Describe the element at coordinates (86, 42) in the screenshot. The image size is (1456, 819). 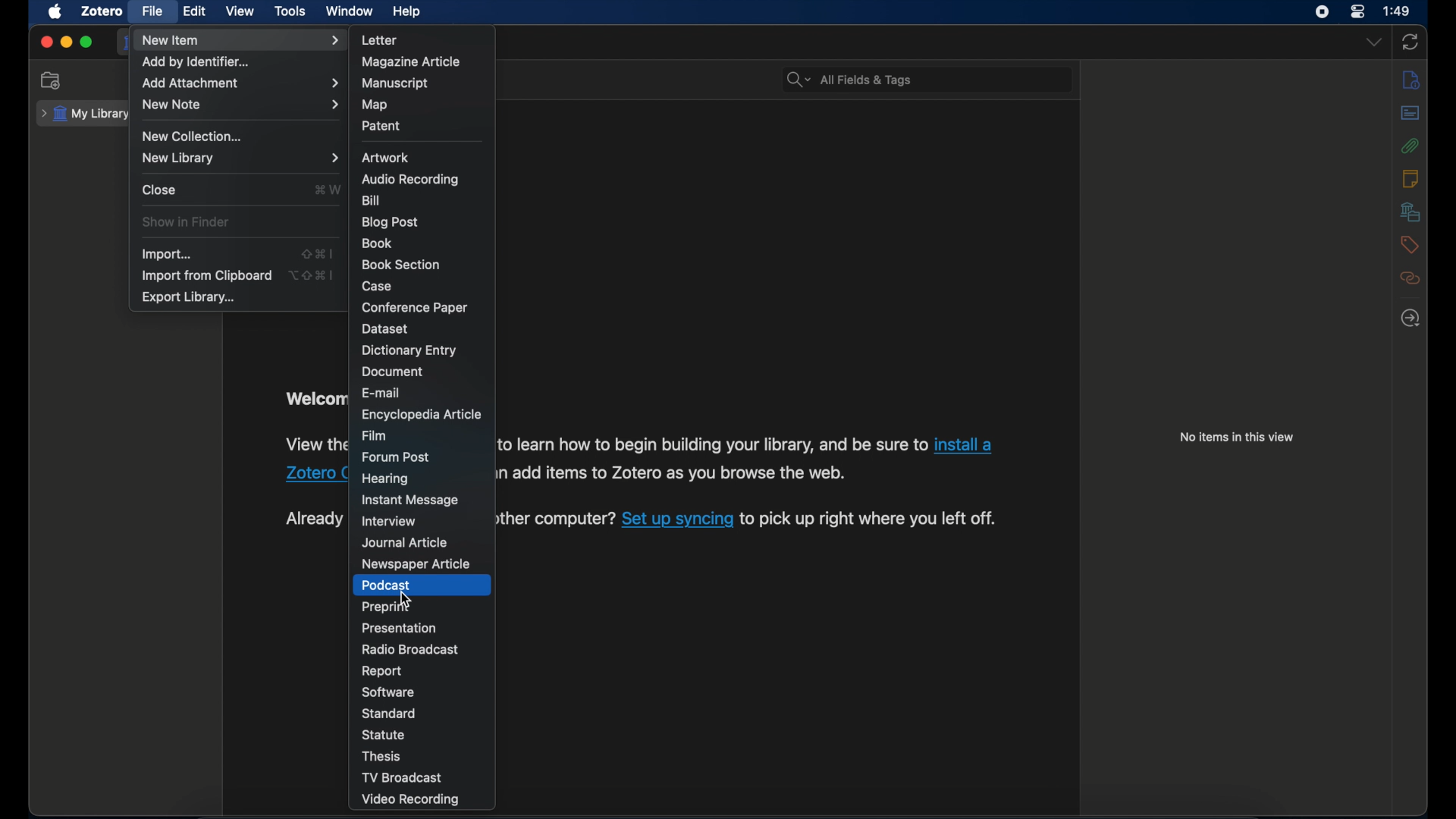
I see `maximize` at that location.